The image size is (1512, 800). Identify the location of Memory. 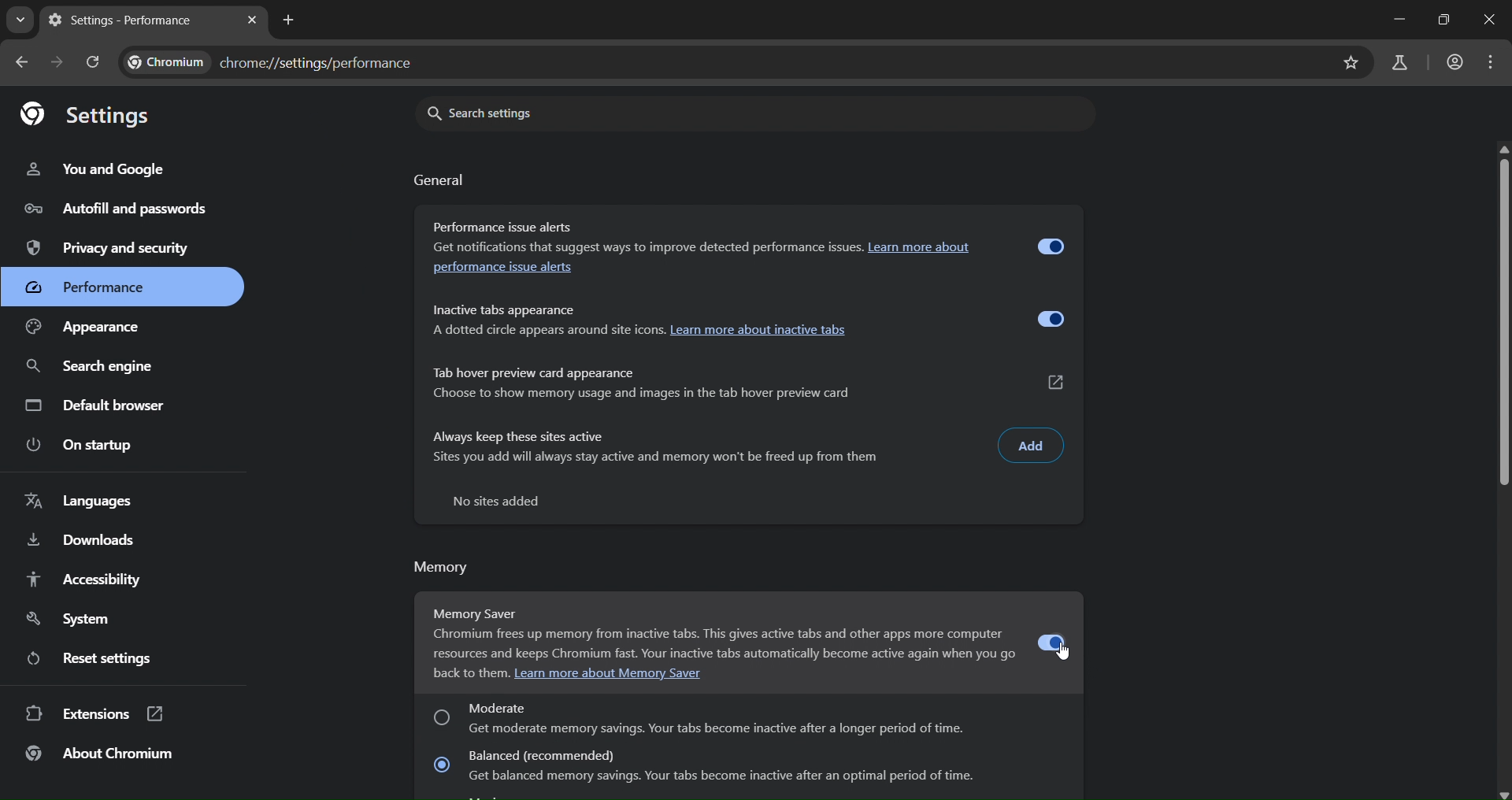
(446, 571).